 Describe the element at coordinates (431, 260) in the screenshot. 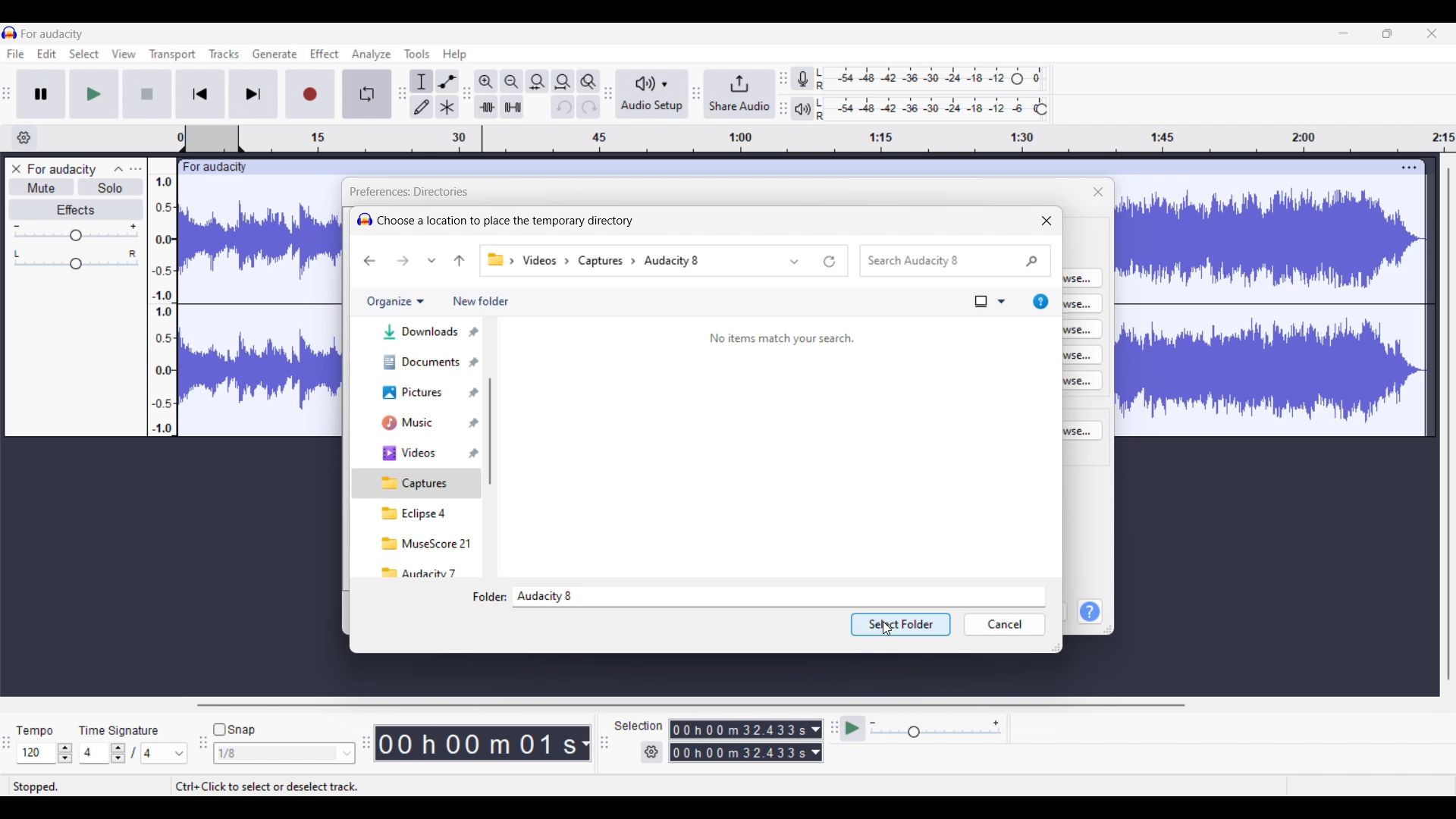

I see `Recent location` at that location.